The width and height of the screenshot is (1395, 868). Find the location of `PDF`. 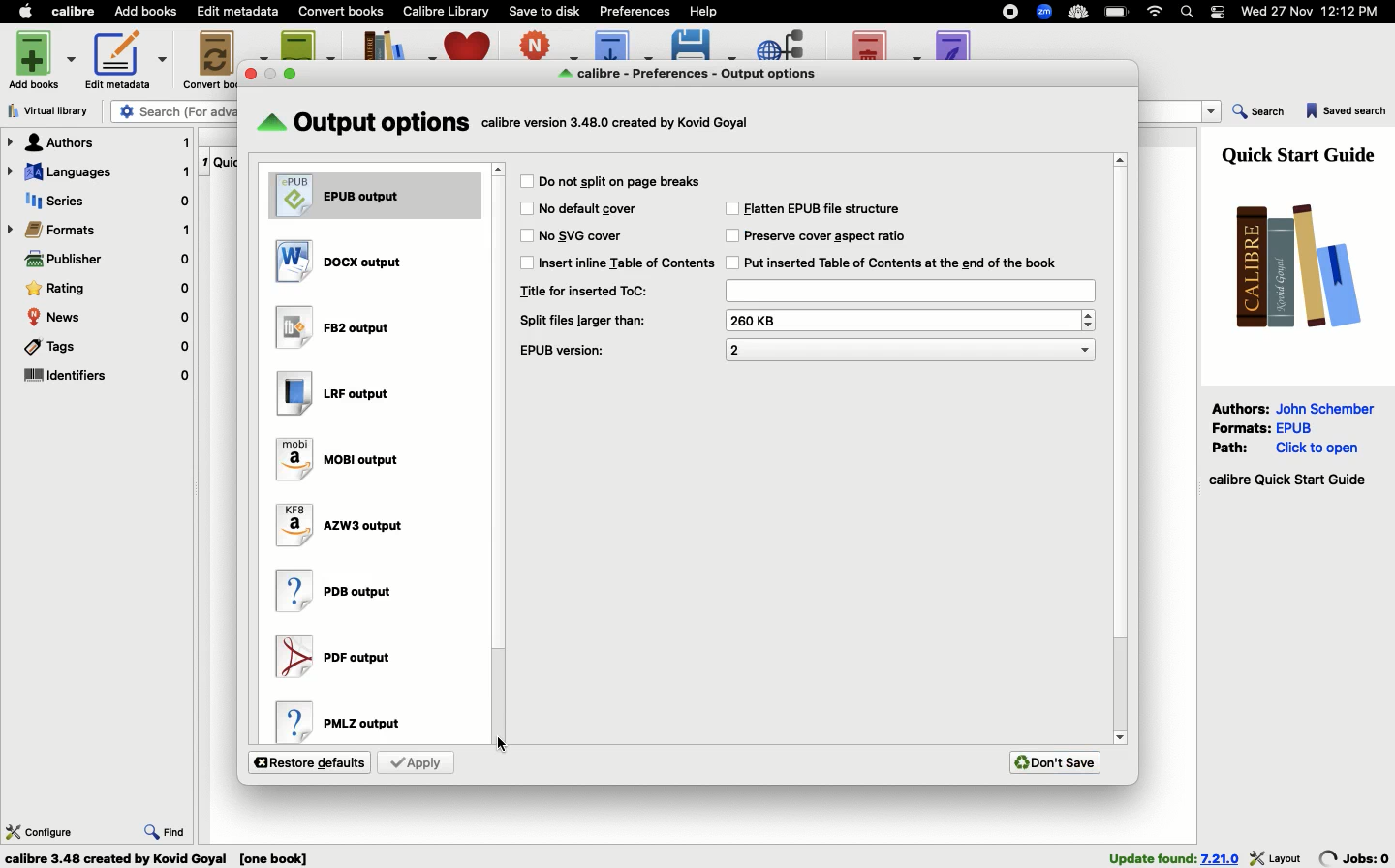

PDF is located at coordinates (344, 656).